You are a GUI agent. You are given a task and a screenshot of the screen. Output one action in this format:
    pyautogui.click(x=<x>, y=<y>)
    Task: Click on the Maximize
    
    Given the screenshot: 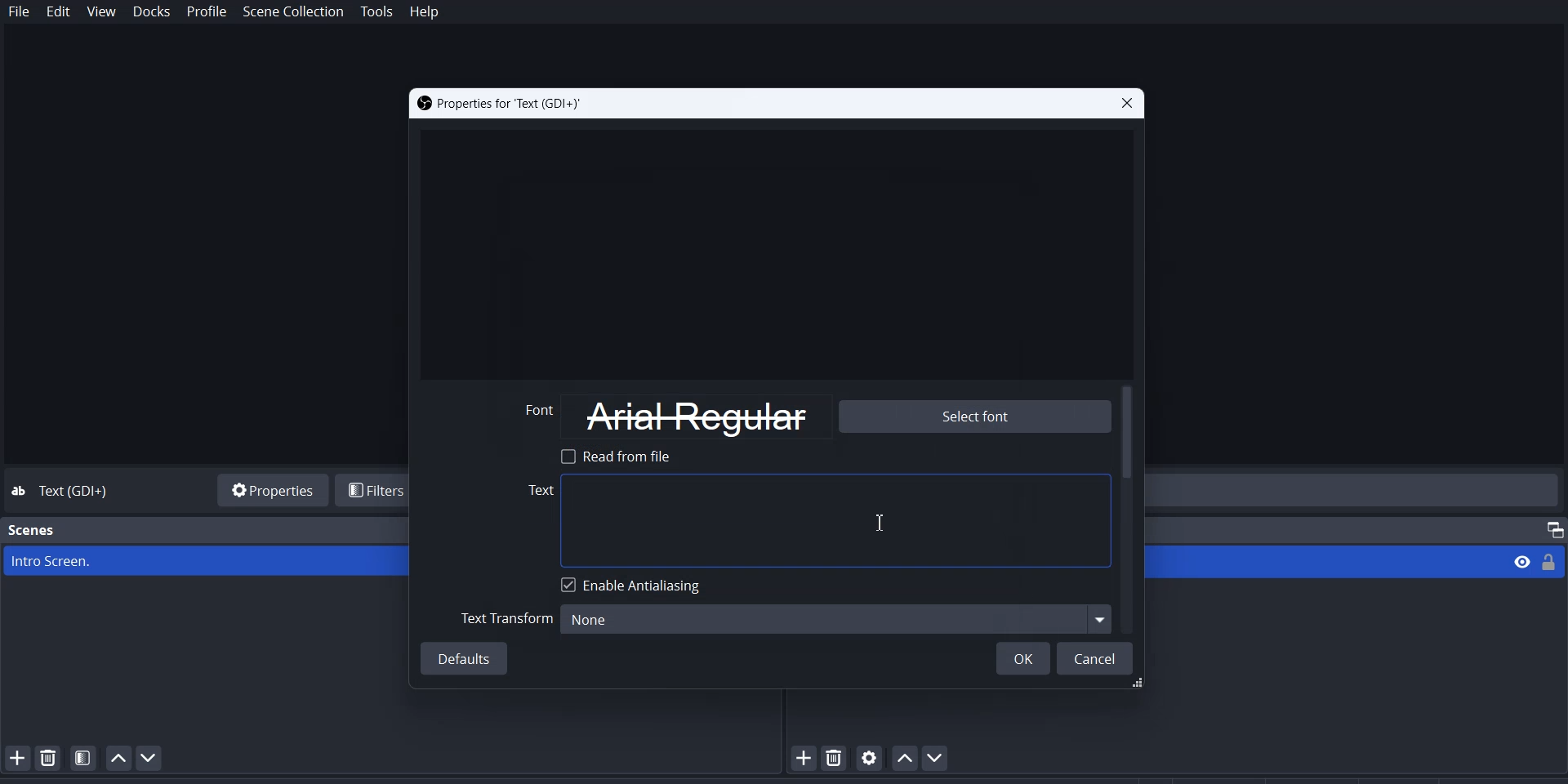 What is the action you would take?
    pyautogui.click(x=1548, y=527)
    